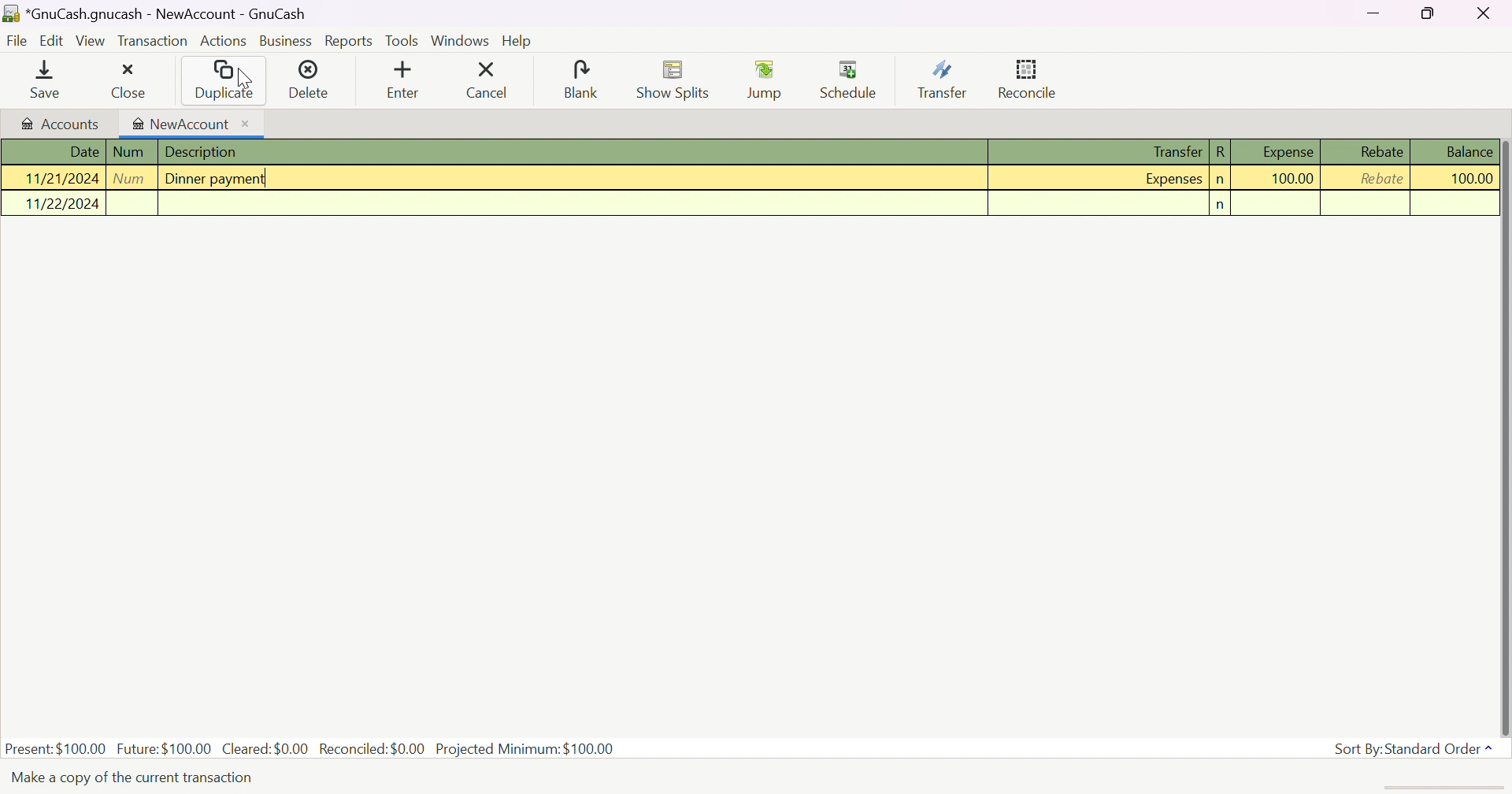 The height and width of the screenshot is (794, 1512). What do you see at coordinates (1170, 180) in the screenshot?
I see `Expenses` at bounding box center [1170, 180].